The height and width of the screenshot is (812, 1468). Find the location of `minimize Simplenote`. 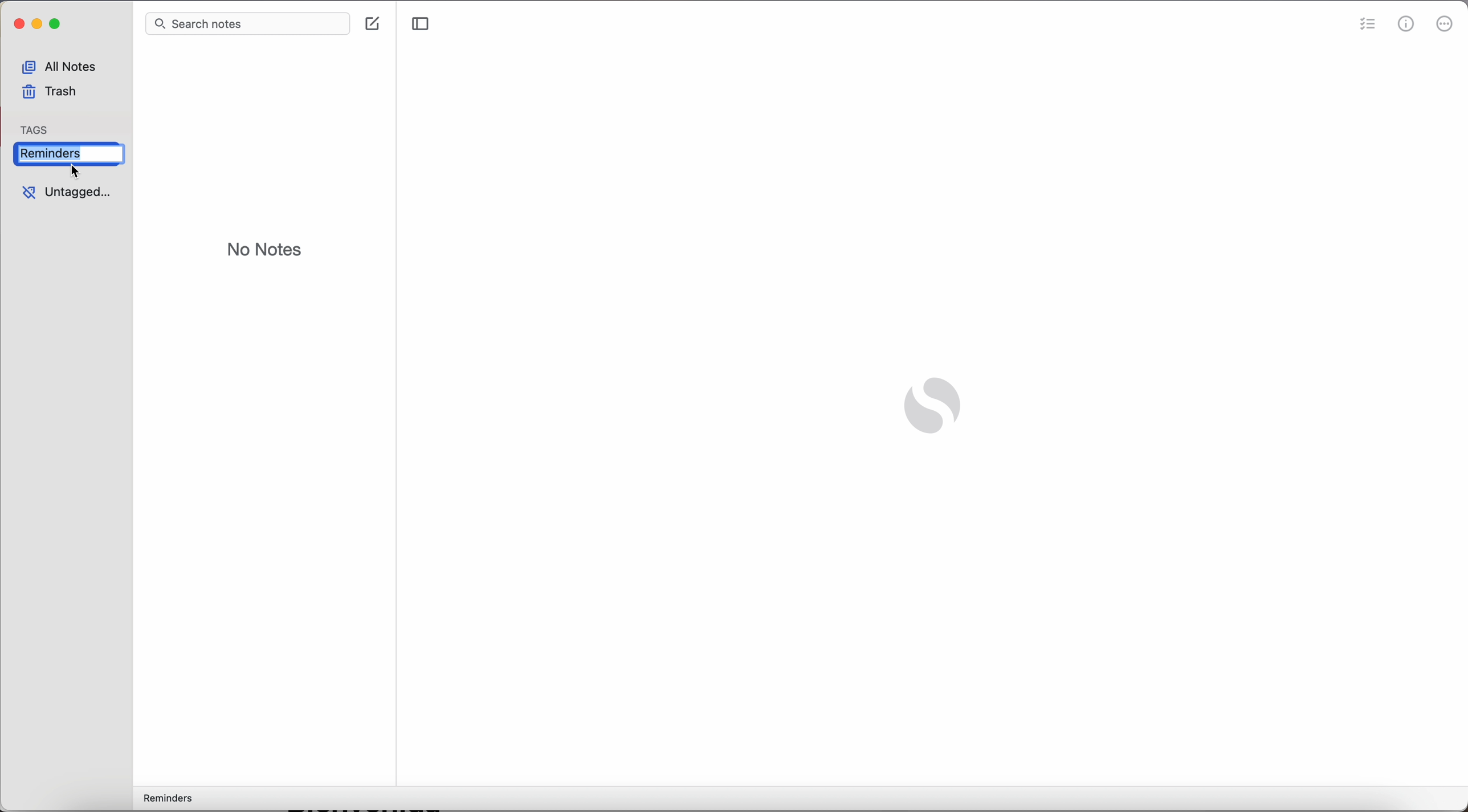

minimize Simplenote is located at coordinates (38, 26).